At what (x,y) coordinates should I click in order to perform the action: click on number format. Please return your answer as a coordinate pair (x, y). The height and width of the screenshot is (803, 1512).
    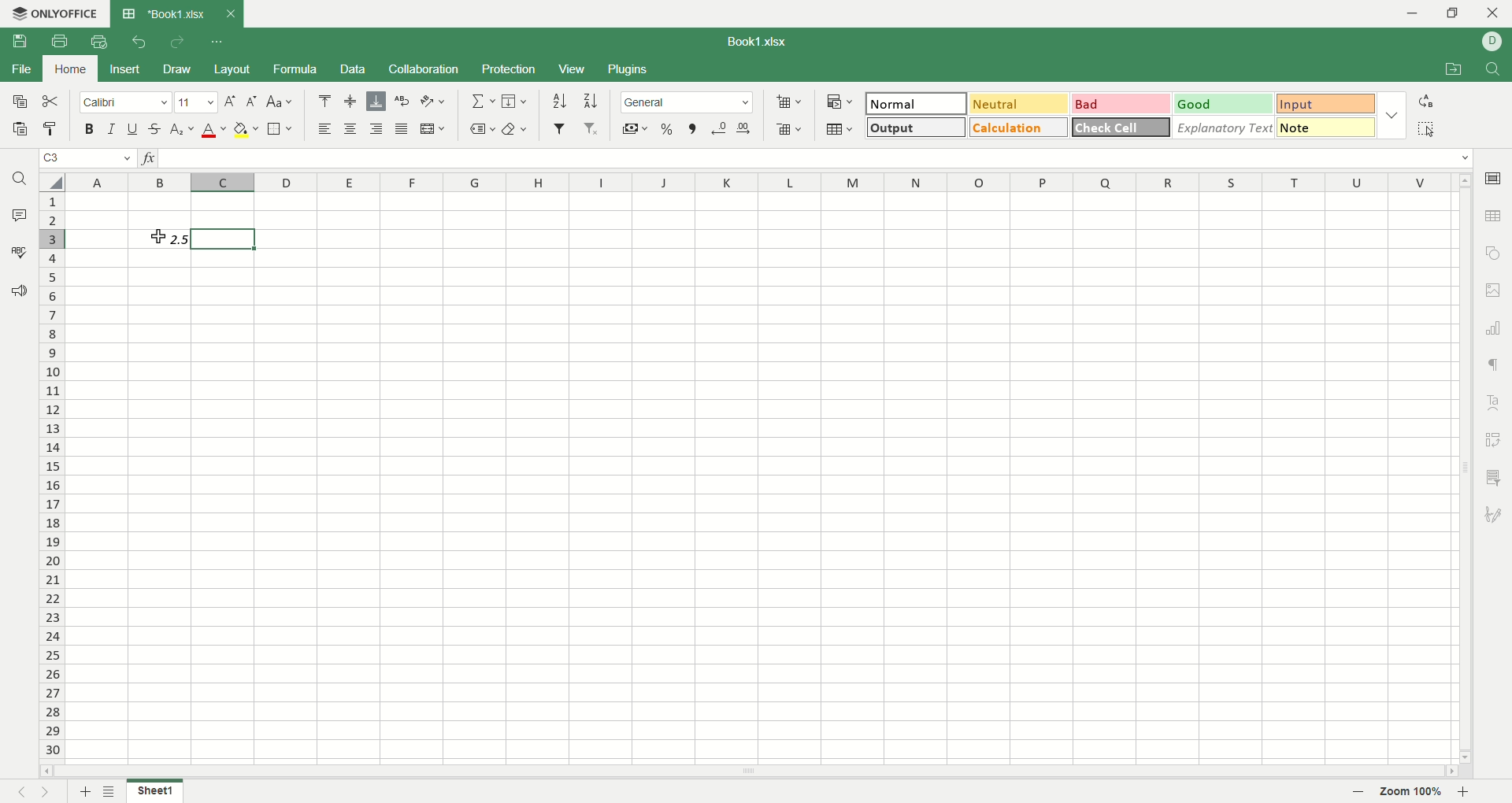
    Looking at the image, I should click on (686, 101).